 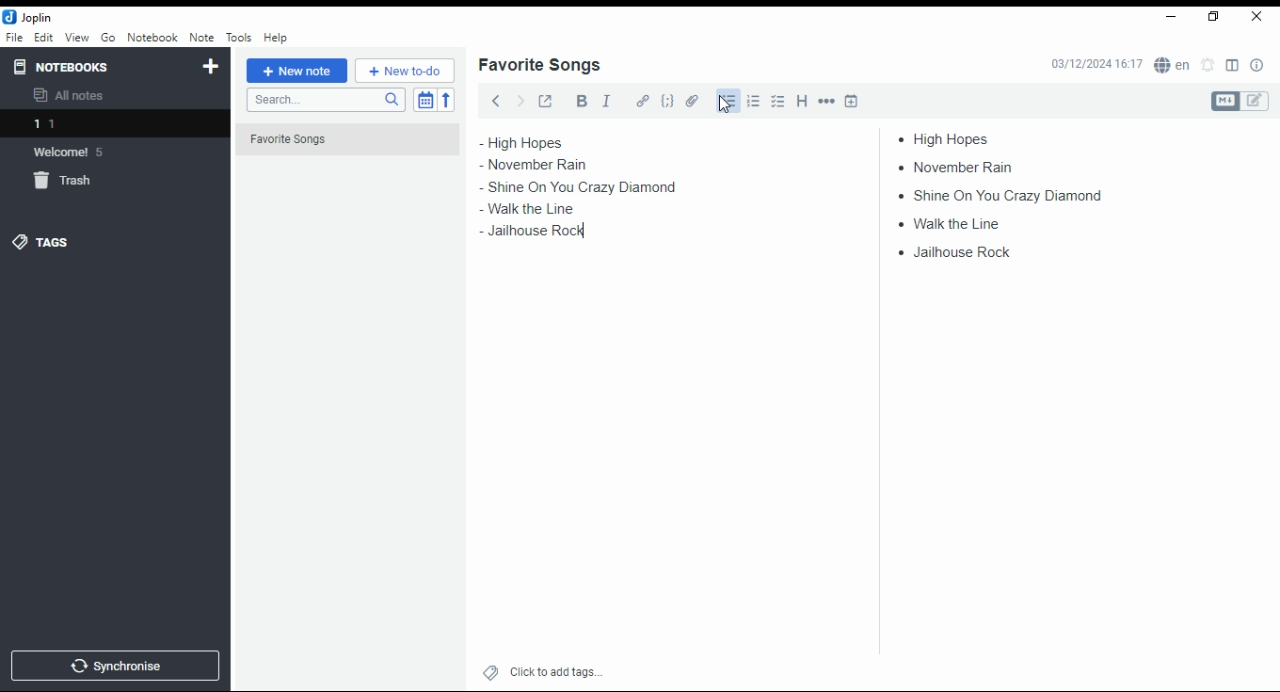 What do you see at coordinates (993, 194) in the screenshot?
I see `shine on you crazy diamond` at bounding box center [993, 194].